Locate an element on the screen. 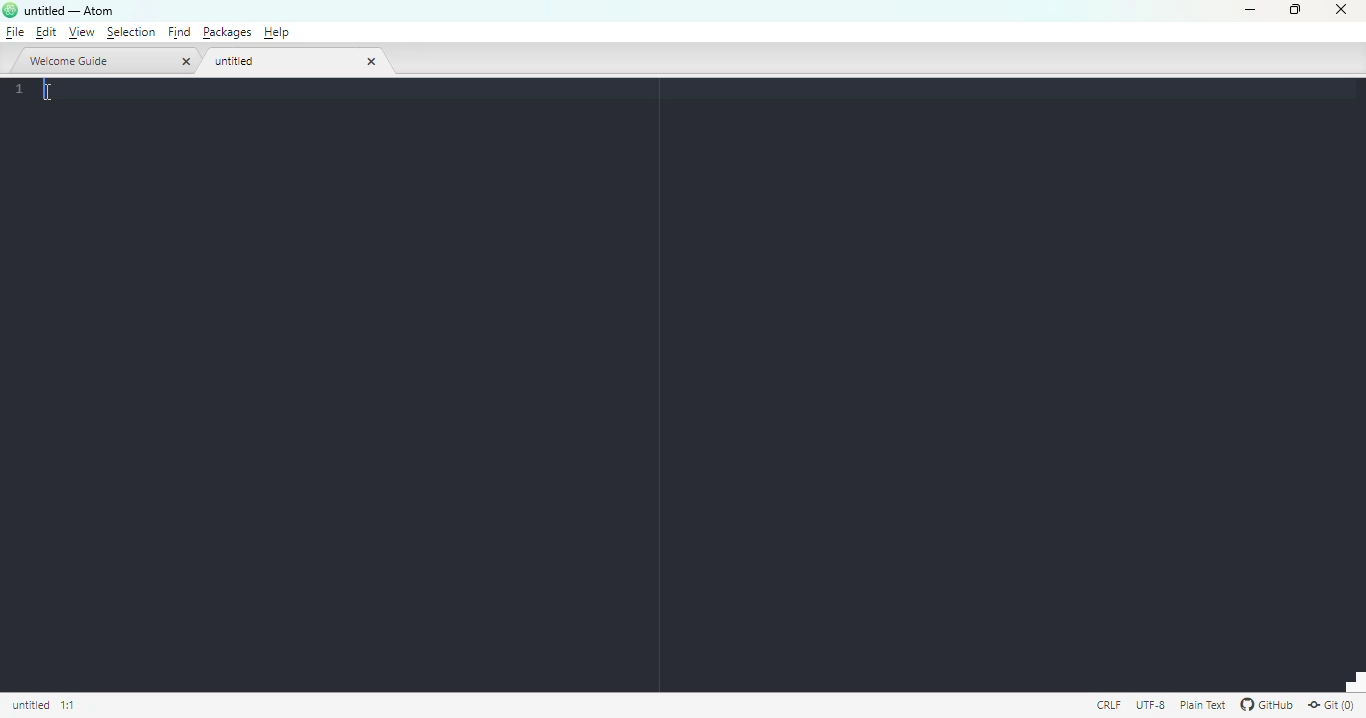 The height and width of the screenshot is (718, 1366). selection is located at coordinates (132, 32).